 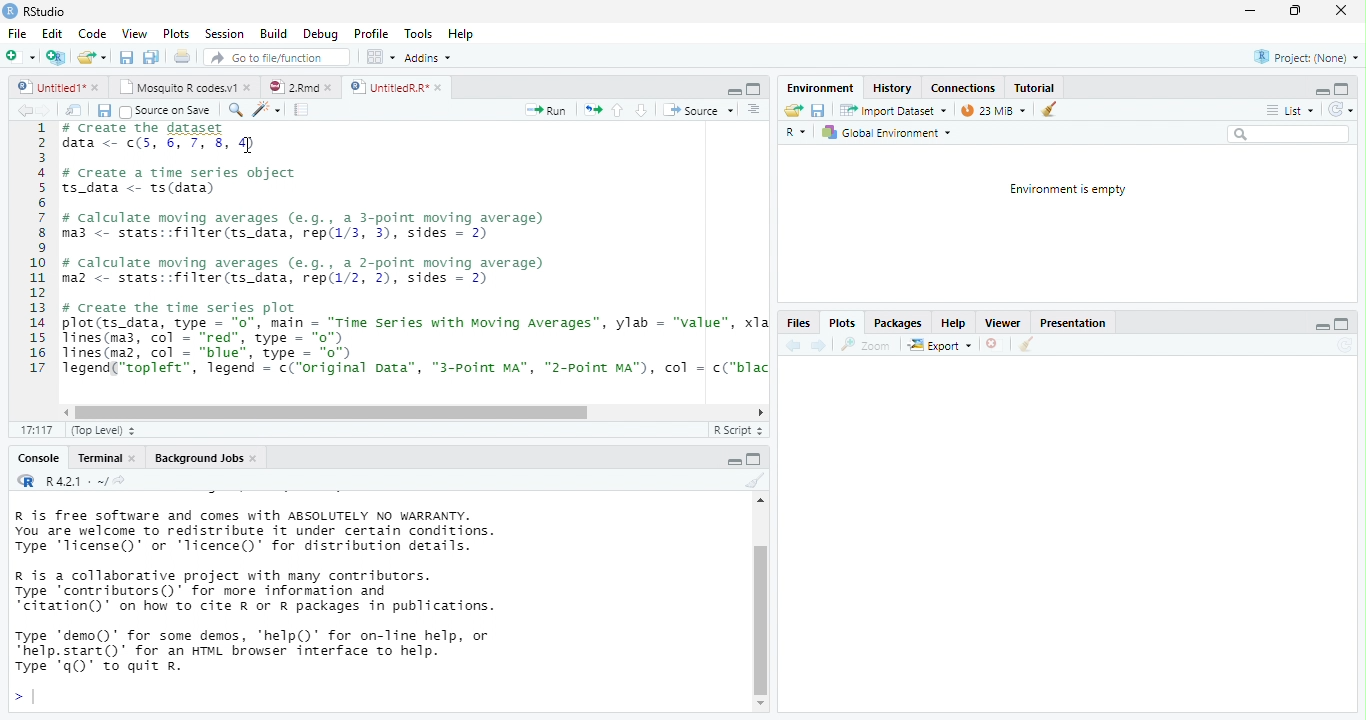 What do you see at coordinates (256, 459) in the screenshot?
I see `close` at bounding box center [256, 459].